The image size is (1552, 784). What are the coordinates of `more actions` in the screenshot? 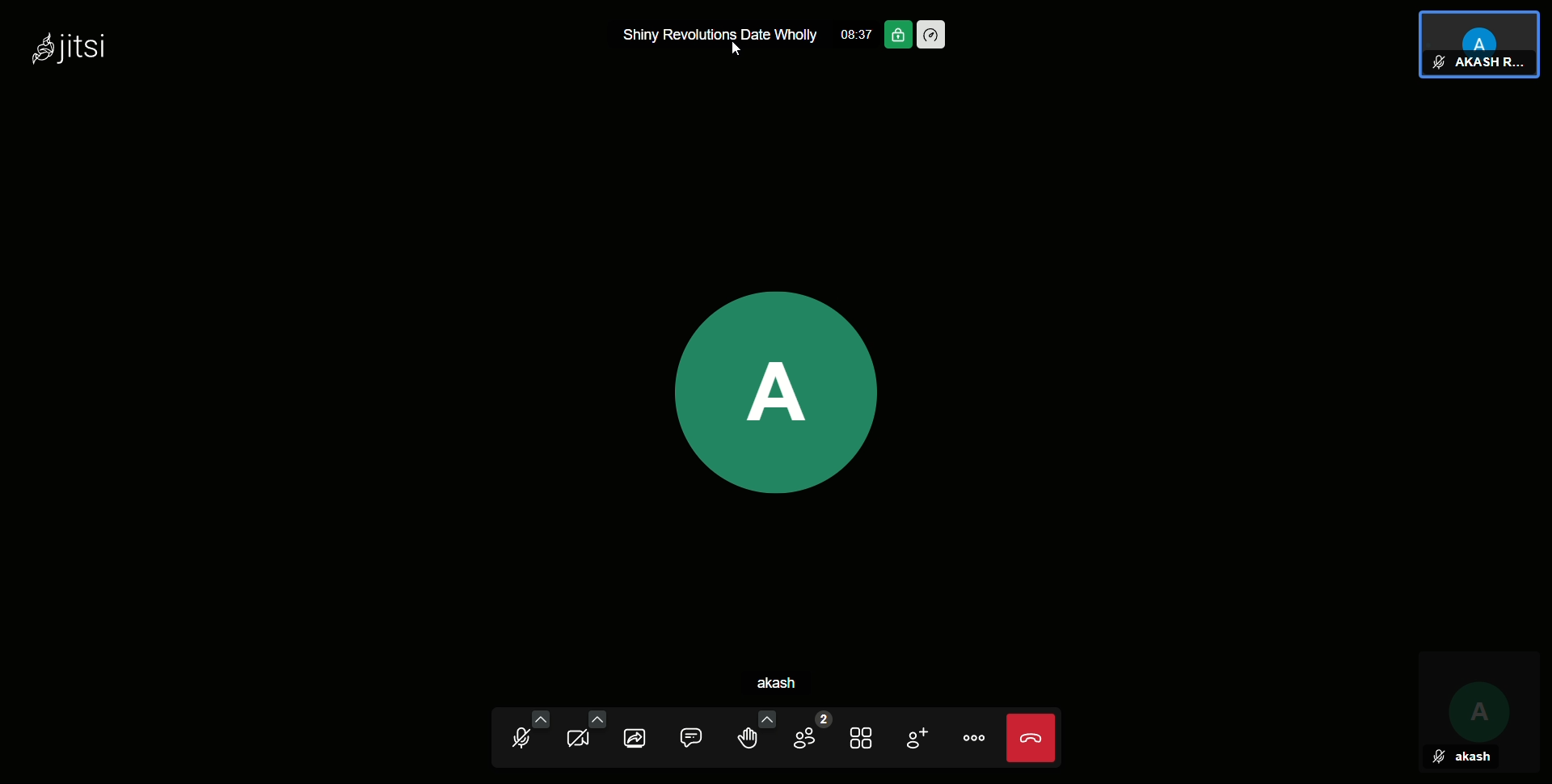 It's located at (973, 737).